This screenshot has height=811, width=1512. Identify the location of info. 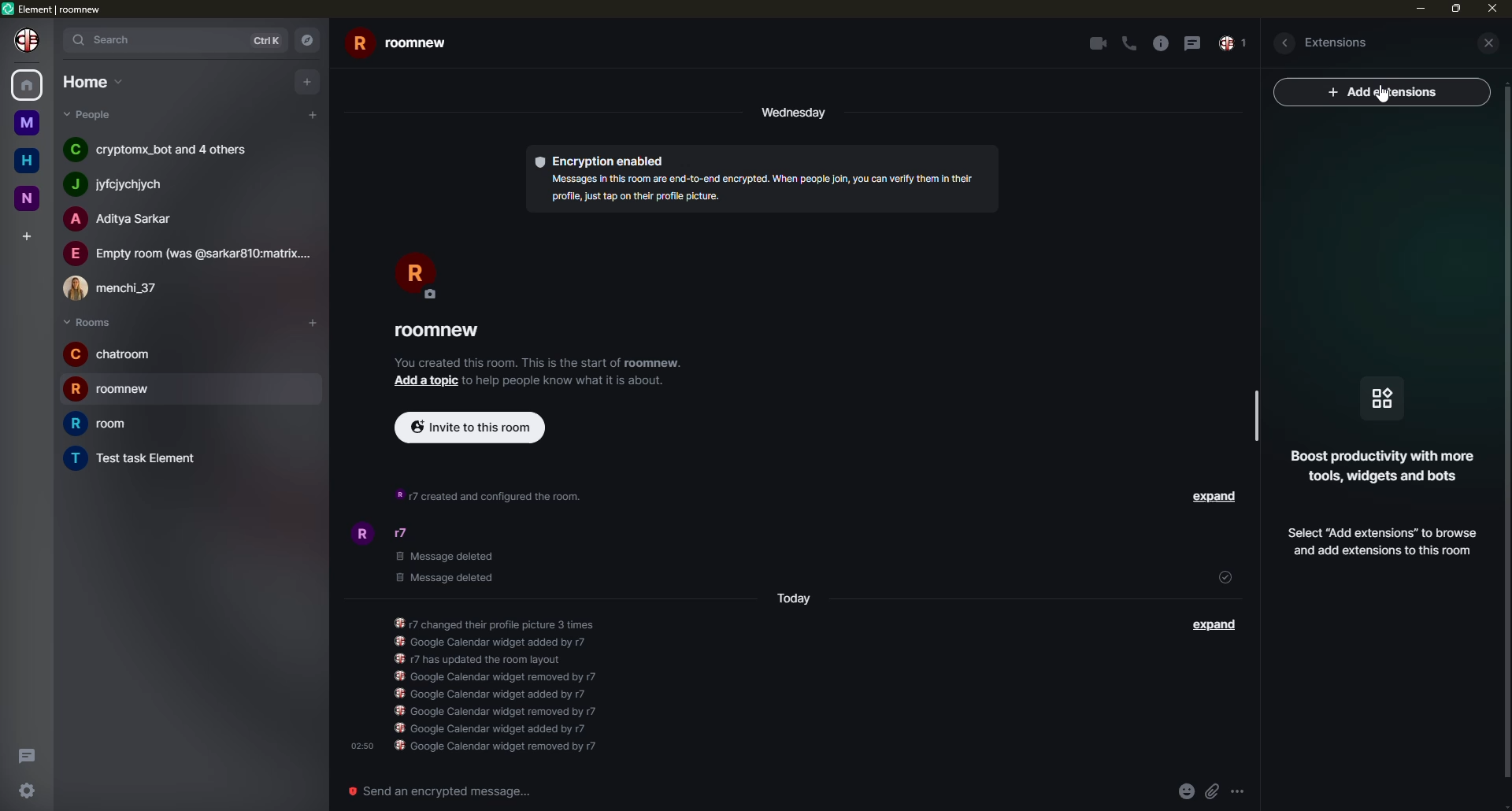
(1380, 466).